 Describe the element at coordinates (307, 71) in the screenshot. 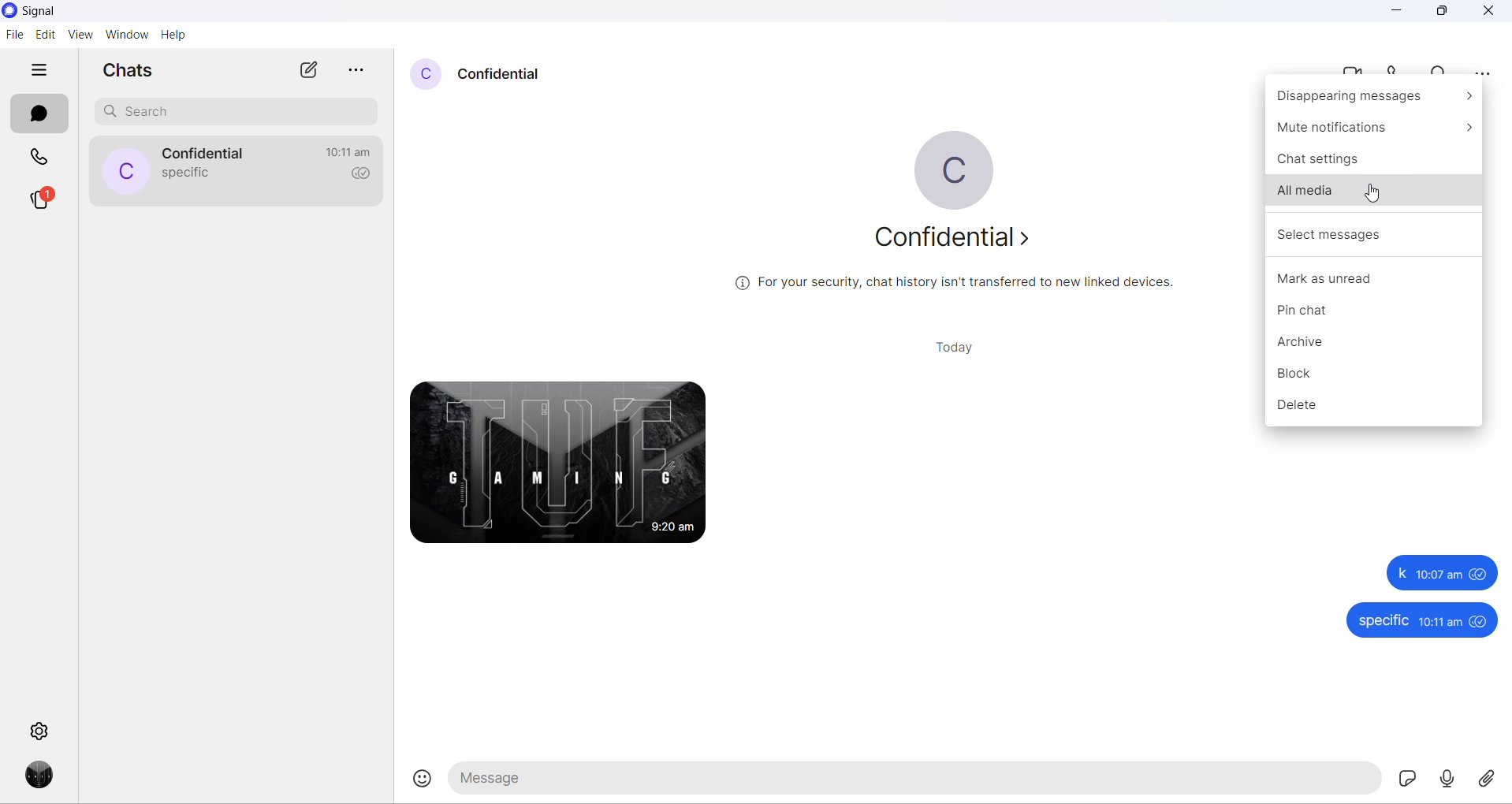

I see `new chat` at that location.